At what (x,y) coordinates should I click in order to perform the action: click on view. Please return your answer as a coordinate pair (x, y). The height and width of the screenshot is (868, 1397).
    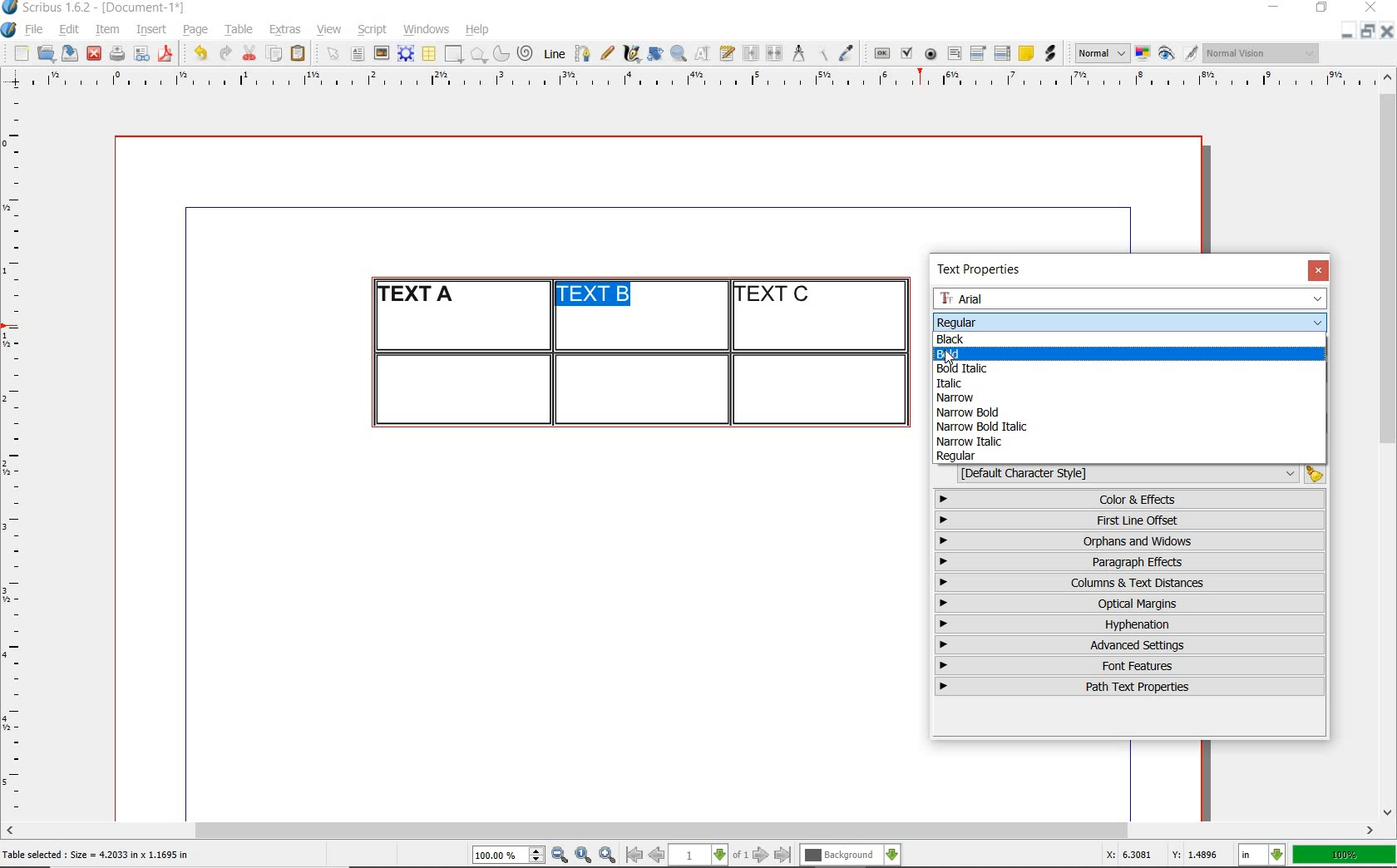
    Looking at the image, I should click on (329, 29).